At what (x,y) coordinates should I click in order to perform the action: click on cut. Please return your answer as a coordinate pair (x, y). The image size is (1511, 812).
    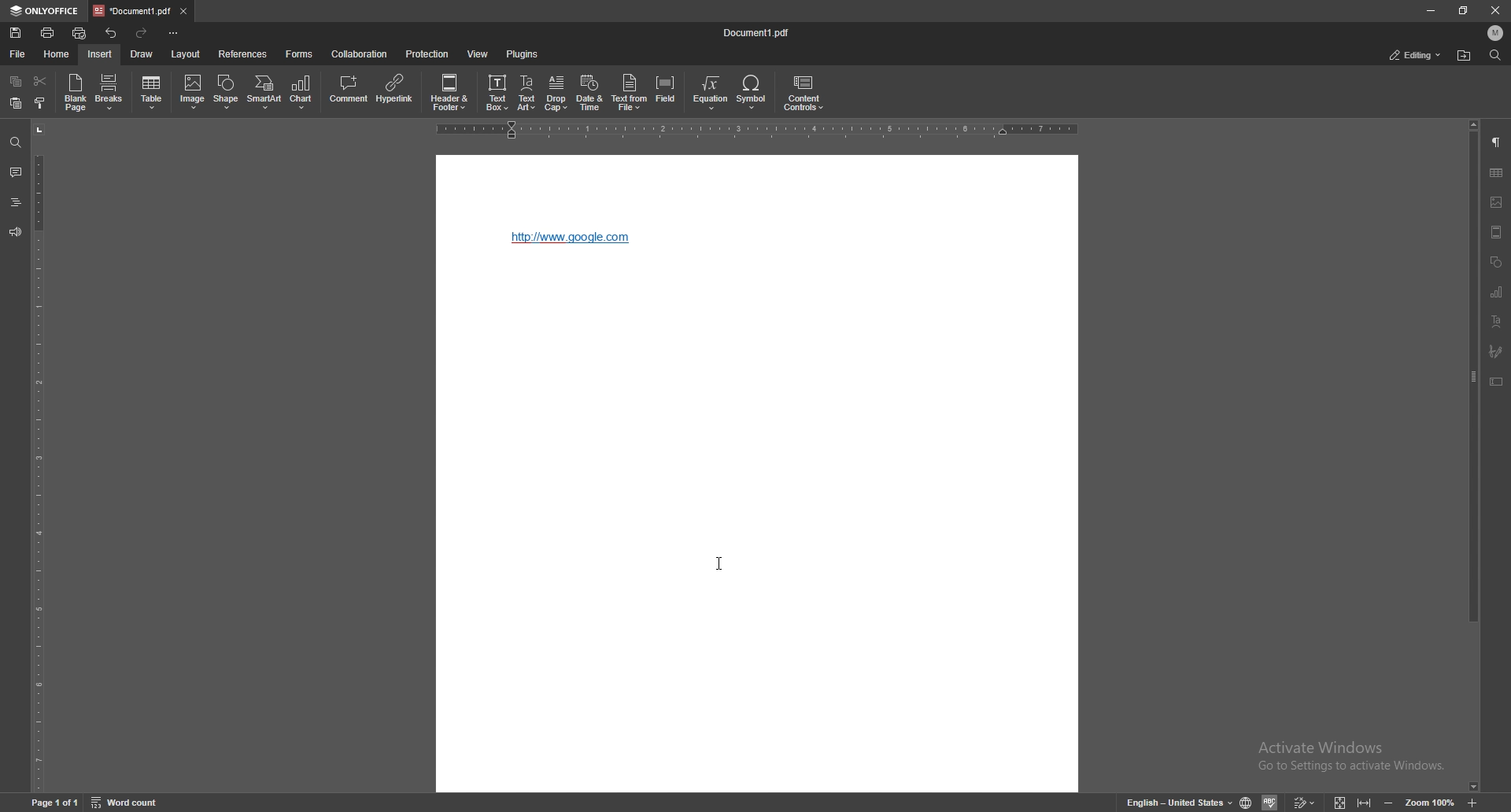
    Looking at the image, I should click on (41, 81).